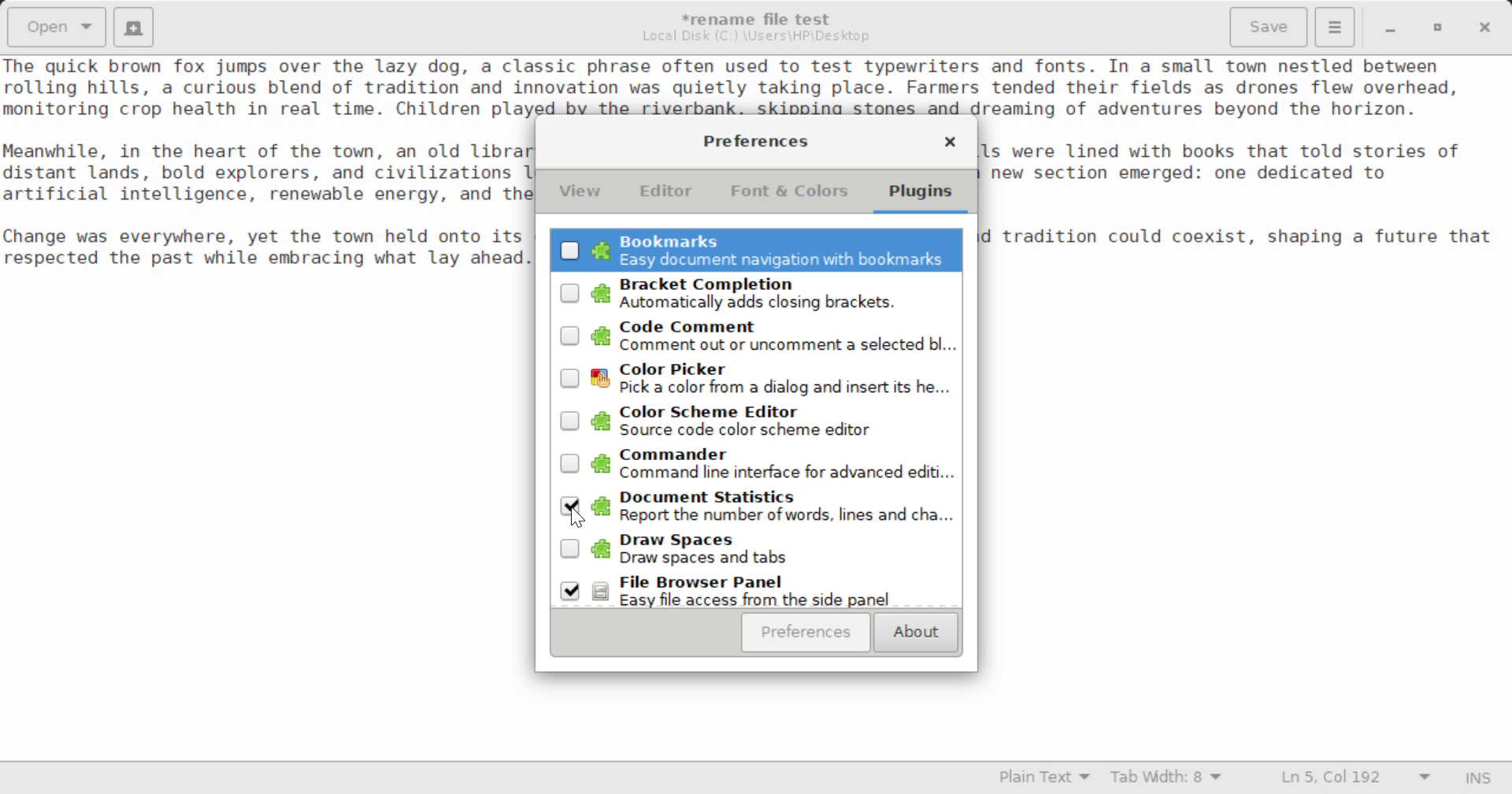  Describe the element at coordinates (1270, 28) in the screenshot. I see `Save` at that location.